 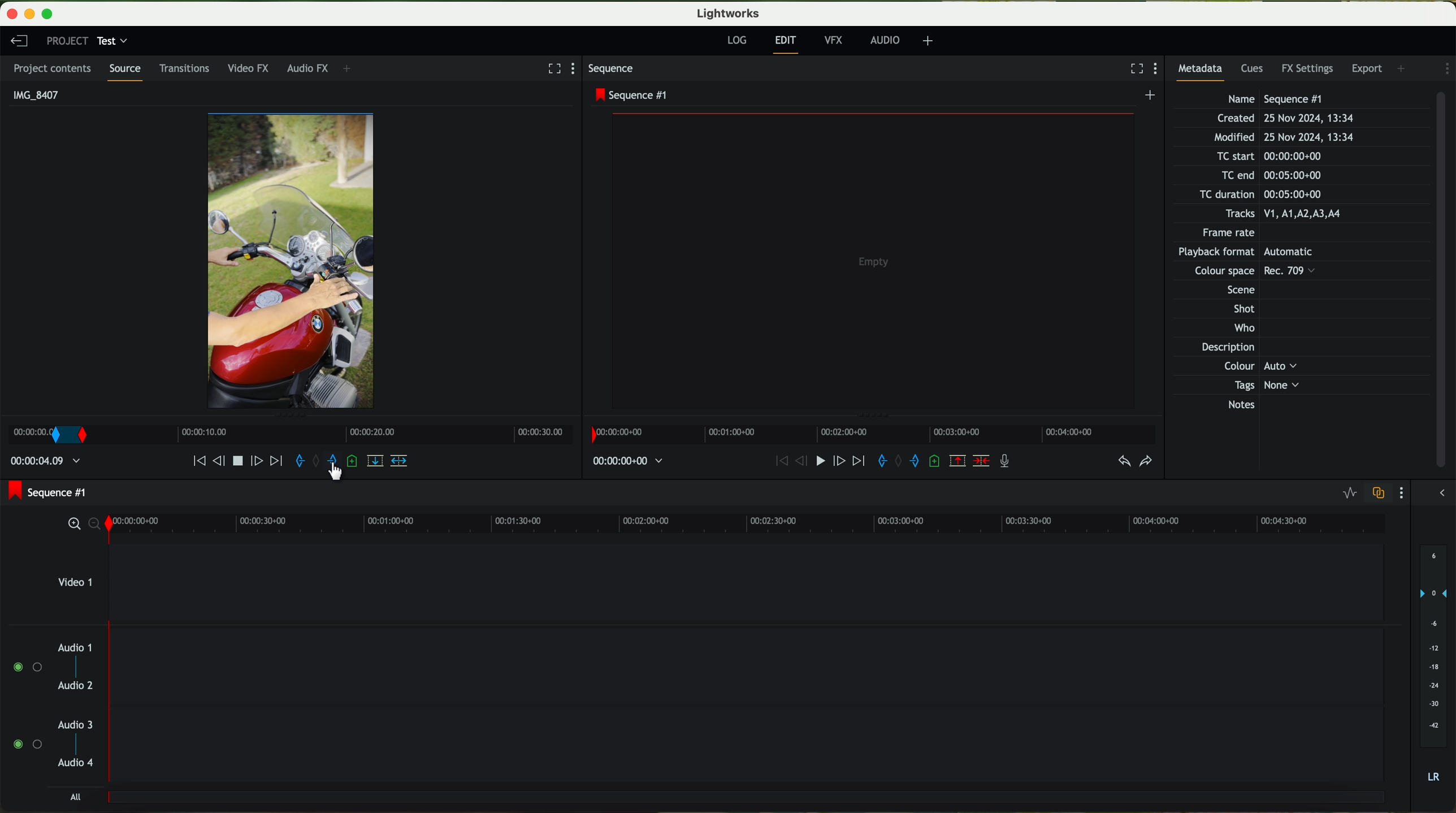 I want to click on replace into the target sequence, so click(x=375, y=462).